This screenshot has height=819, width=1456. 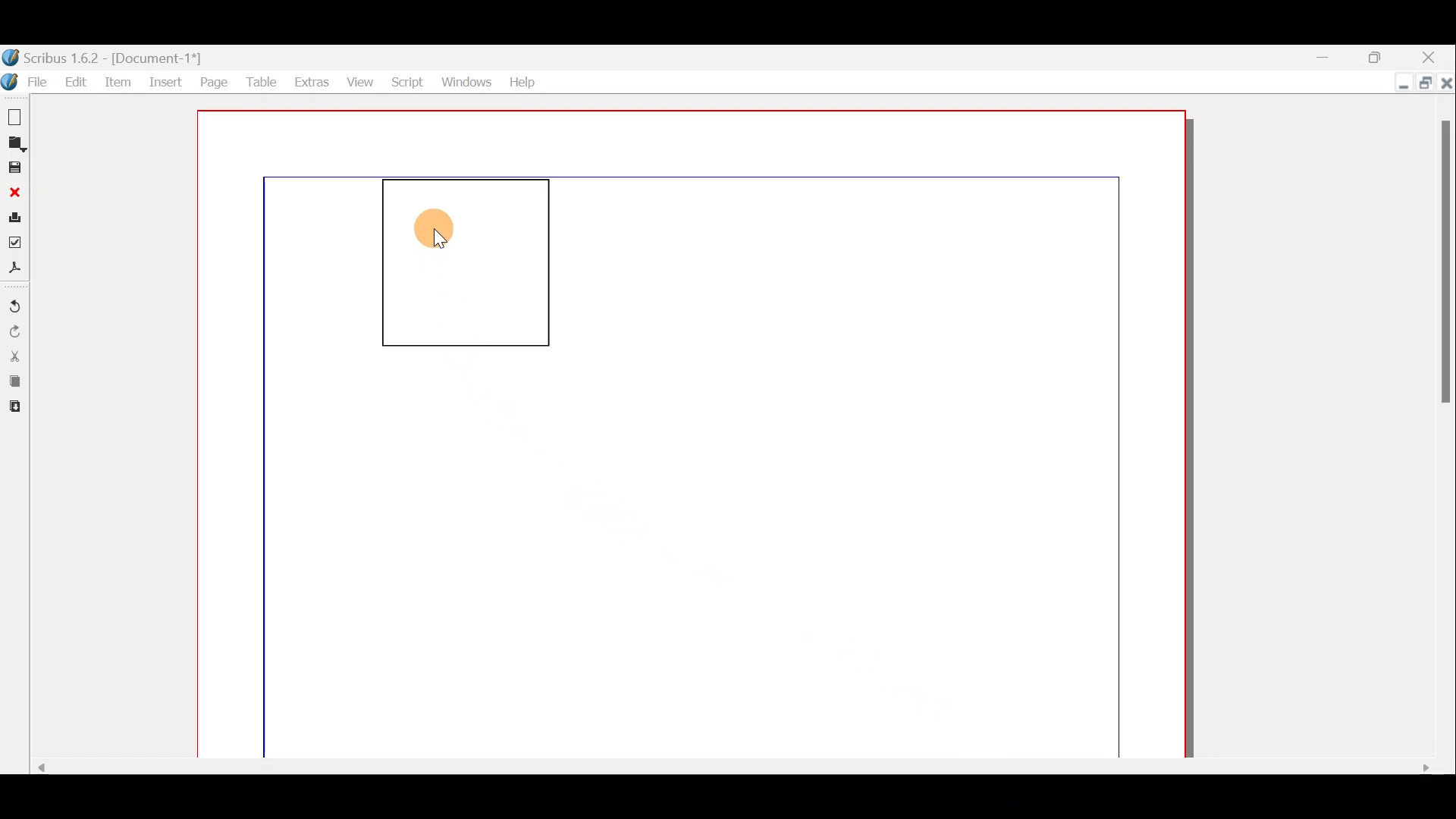 I want to click on Open, so click(x=14, y=145).